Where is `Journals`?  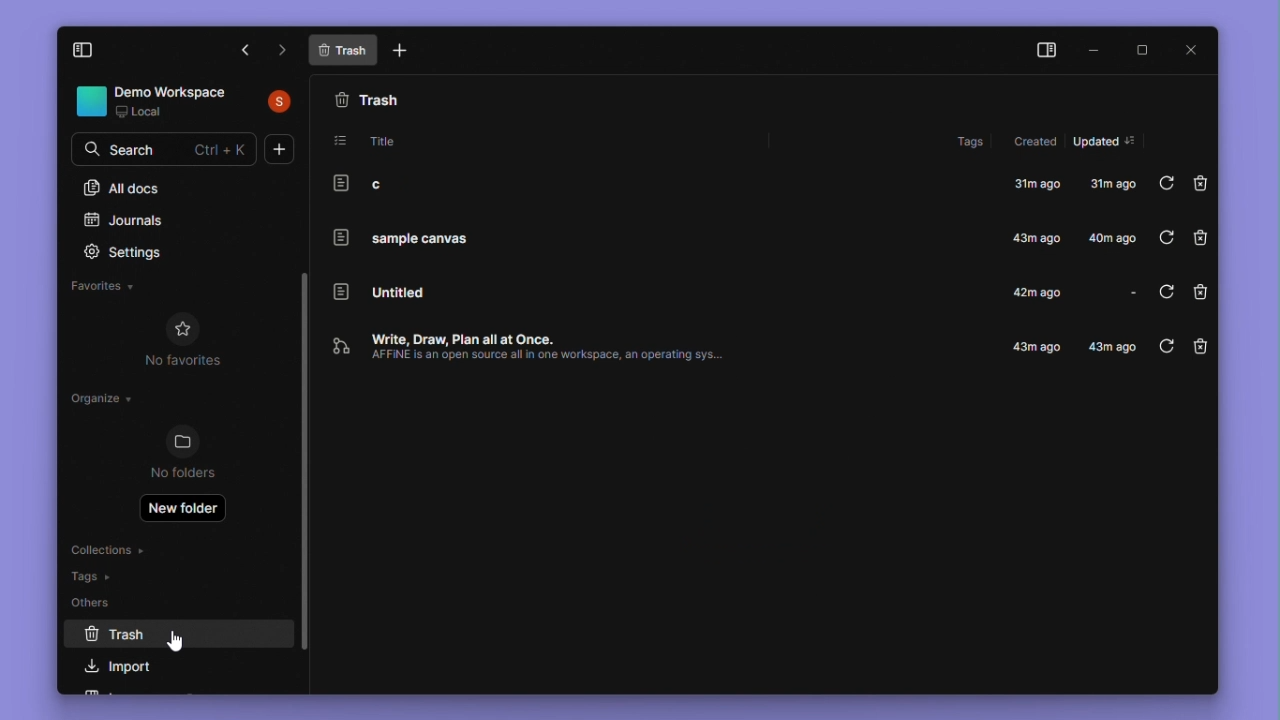 Journals is located at coordinates (127, 219).